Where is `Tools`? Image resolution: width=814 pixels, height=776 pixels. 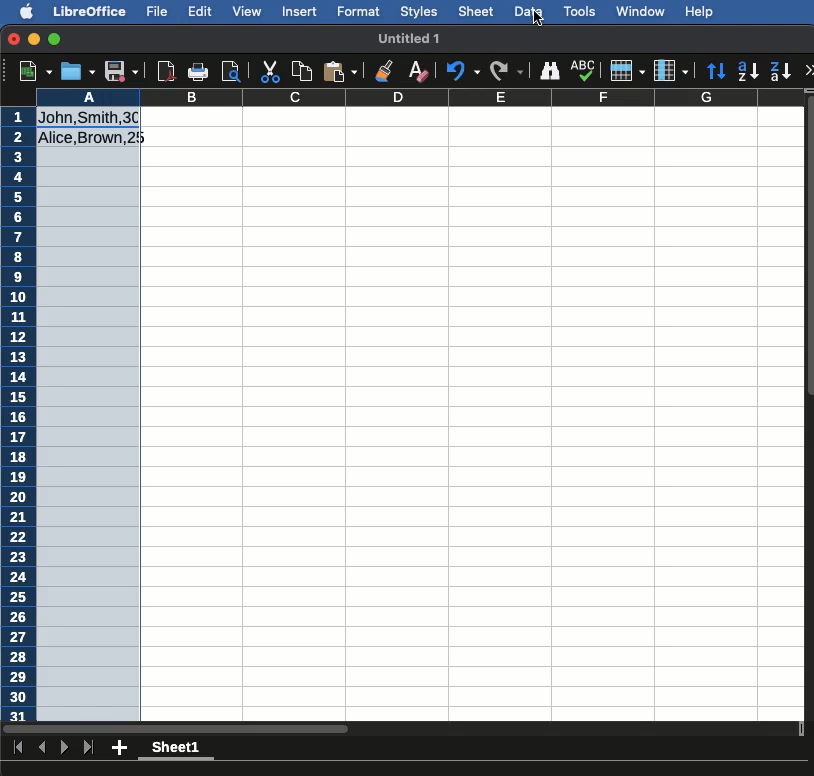
Tools is located at coordinates (581, 12).